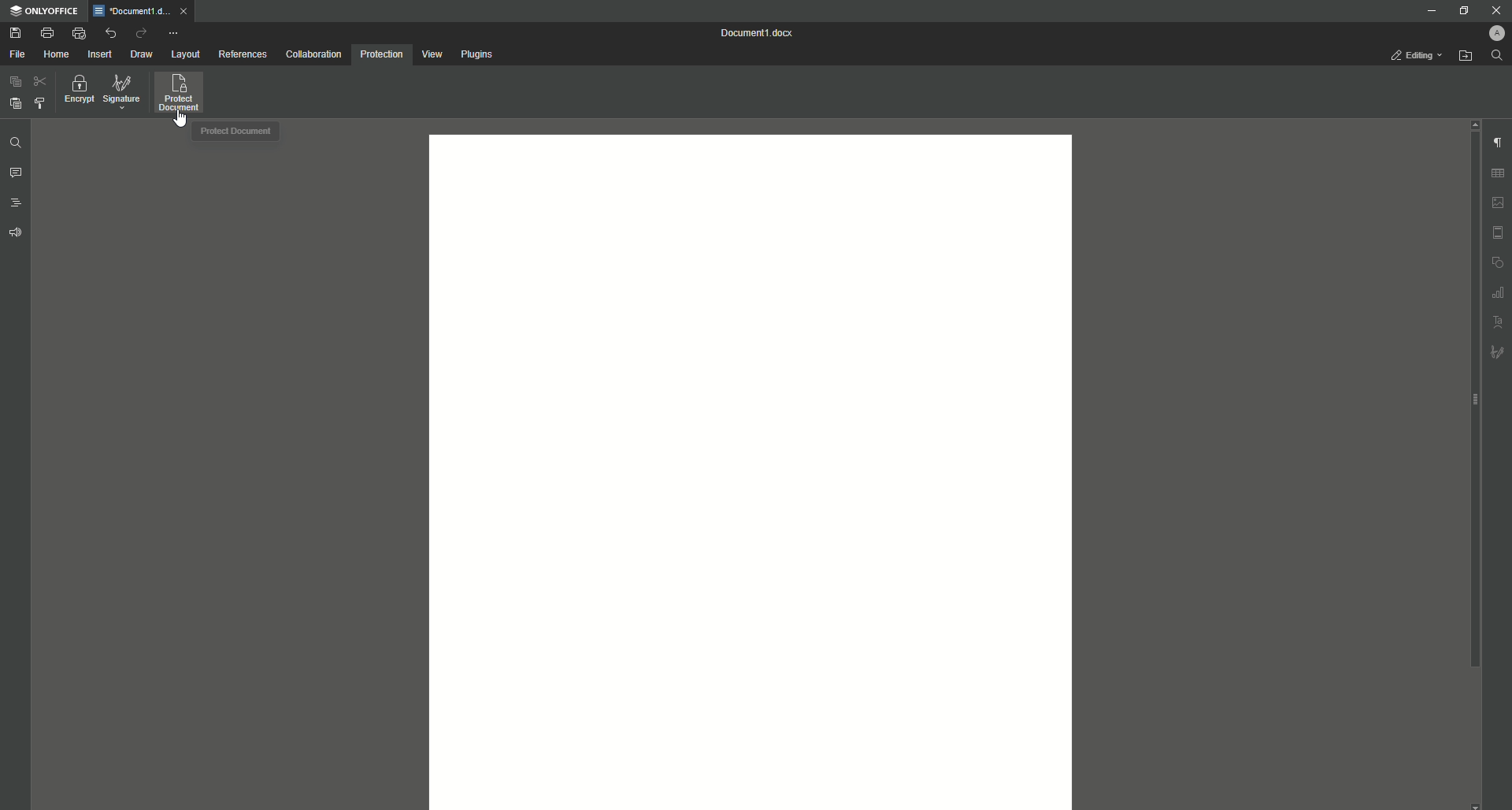  I want to click on Draw, so click(143, 54).